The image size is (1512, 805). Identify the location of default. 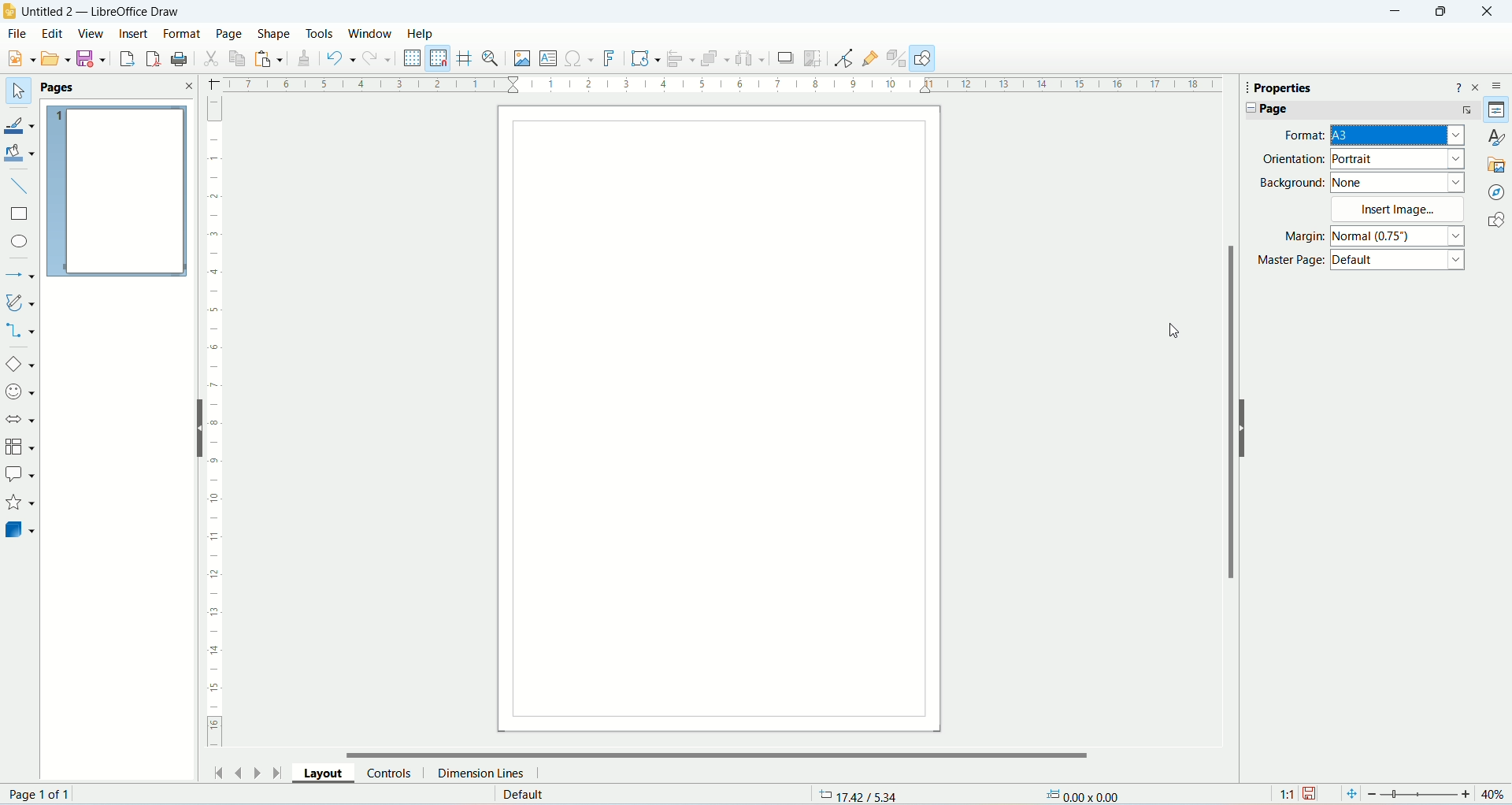
(521, 795).